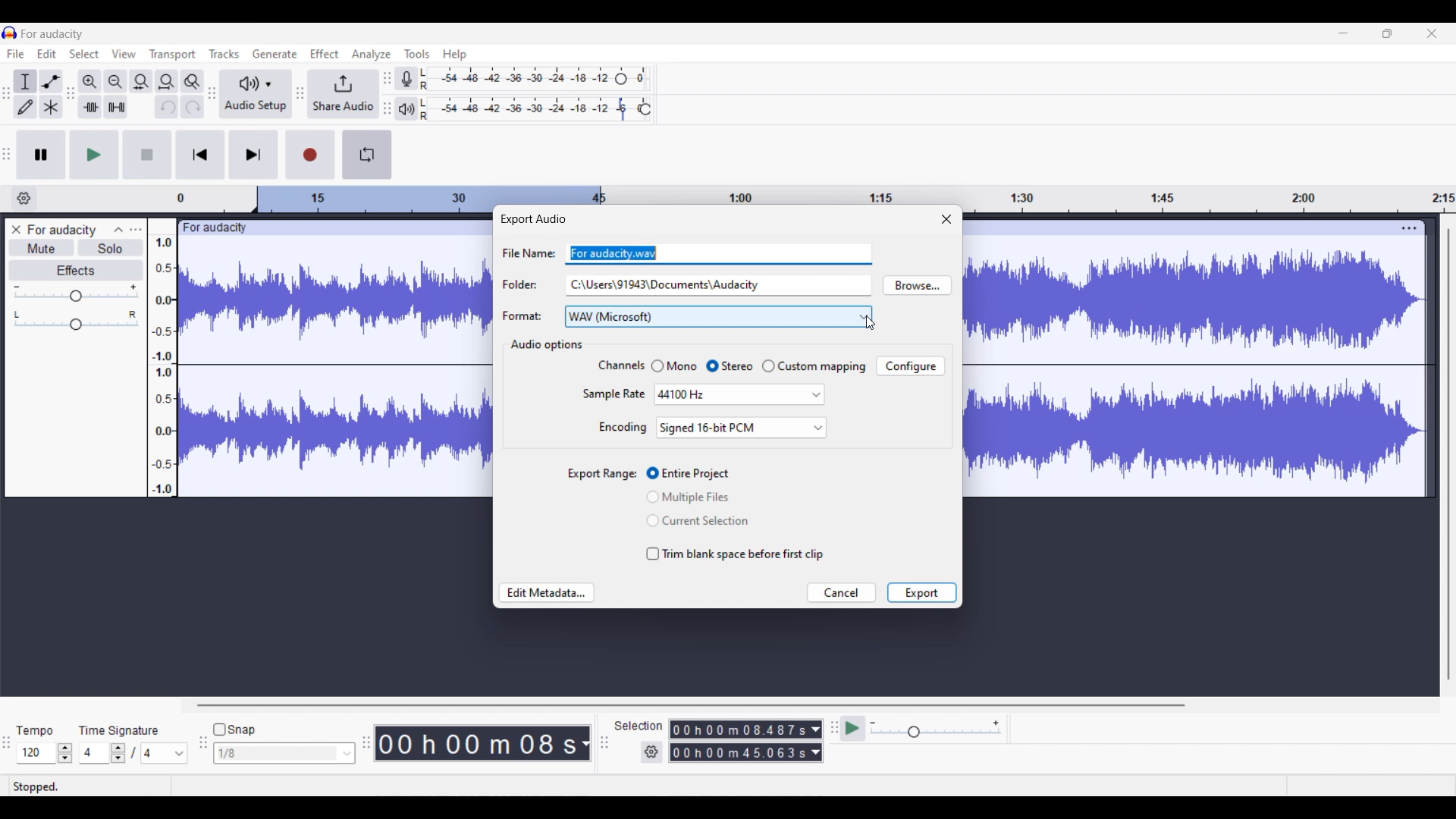 Image resolution: width=1456 pixels, height=819 pixels. What do you see at coordinates (473, 743) in the screenshot?
I see `Current timestamp of track` at bounding box center [473, 743].